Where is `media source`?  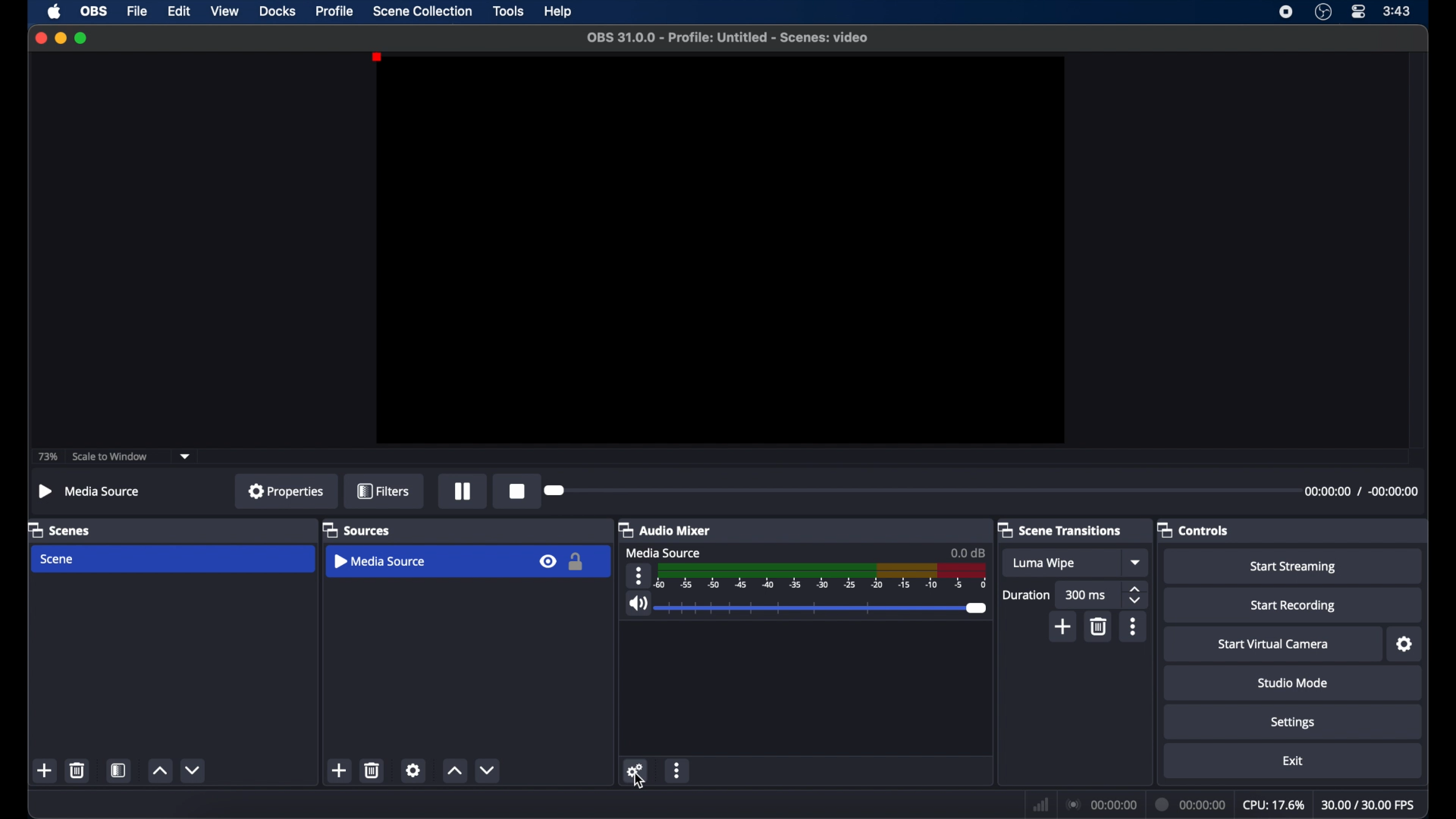 media source is located at coordinates (664, 552).